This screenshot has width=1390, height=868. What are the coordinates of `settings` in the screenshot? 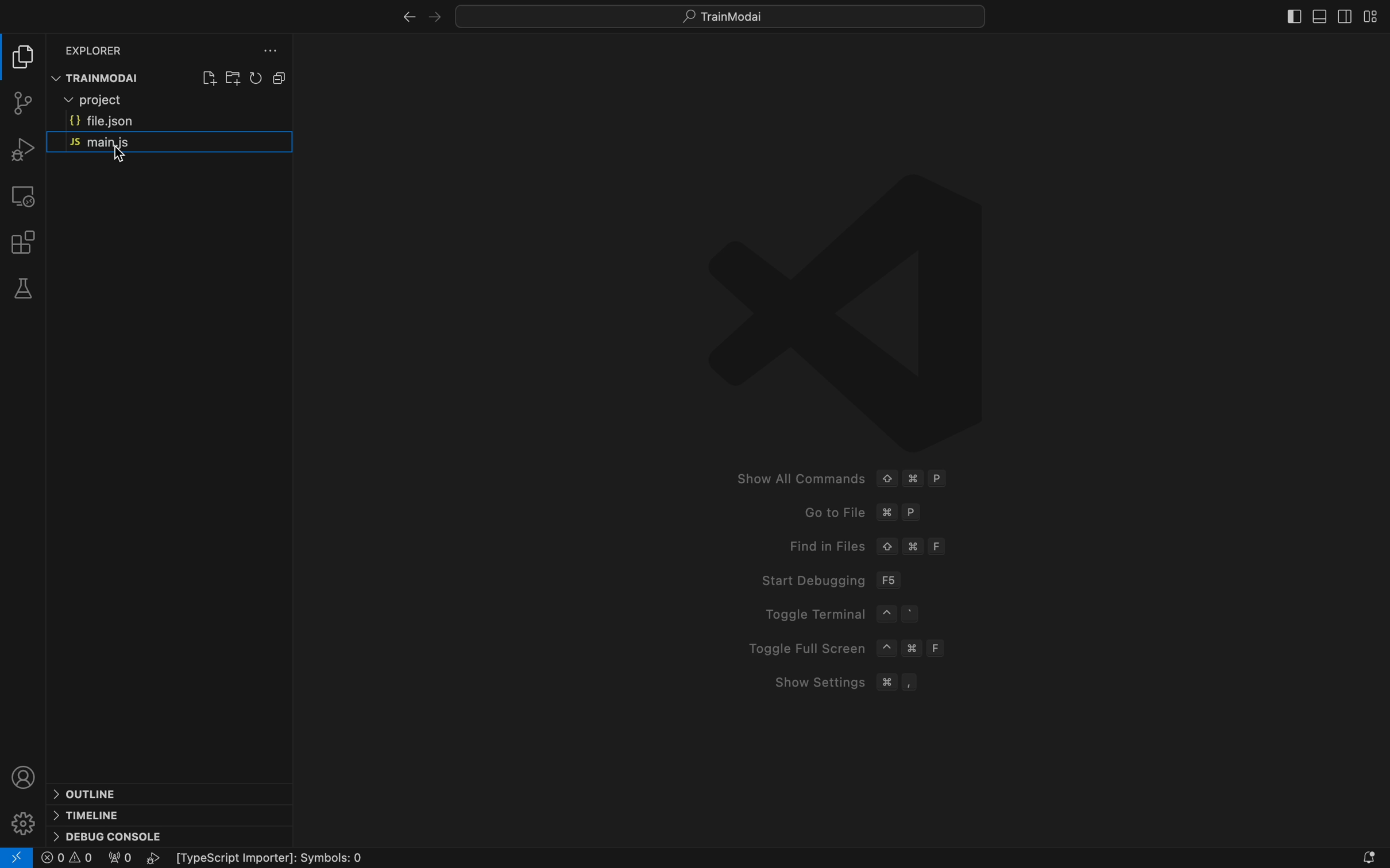 It's located at (23, 823).